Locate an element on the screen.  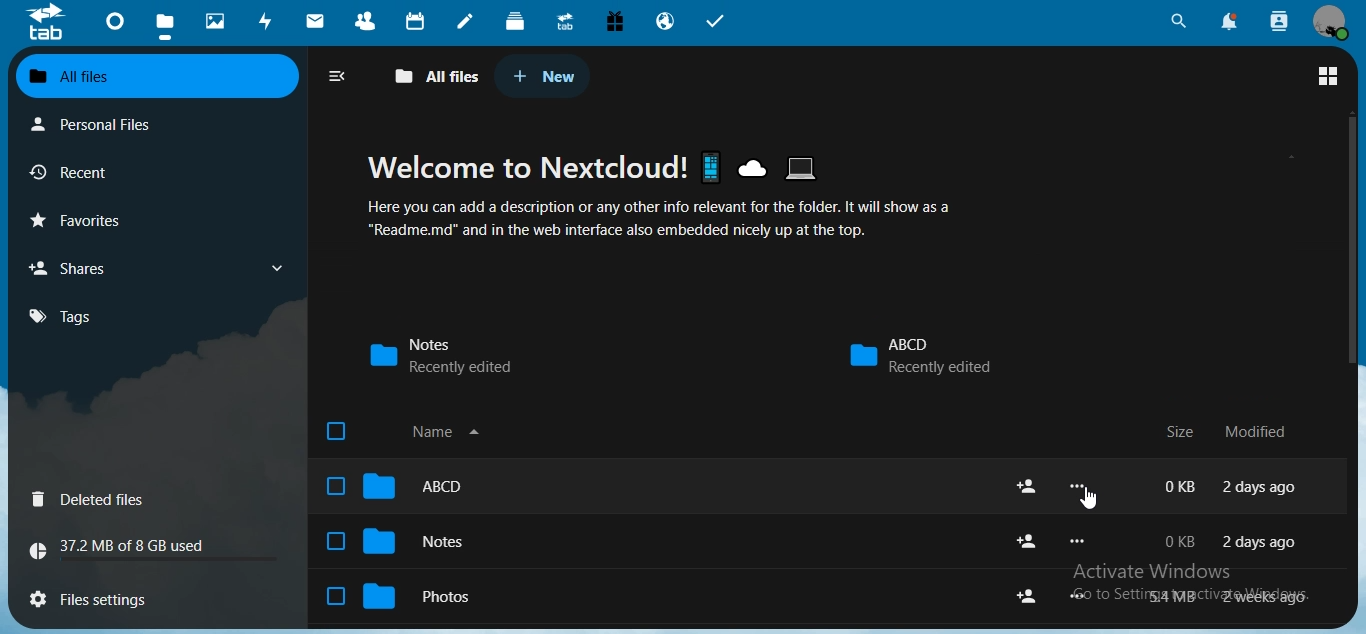
notes is located at coordinates (455, 355).